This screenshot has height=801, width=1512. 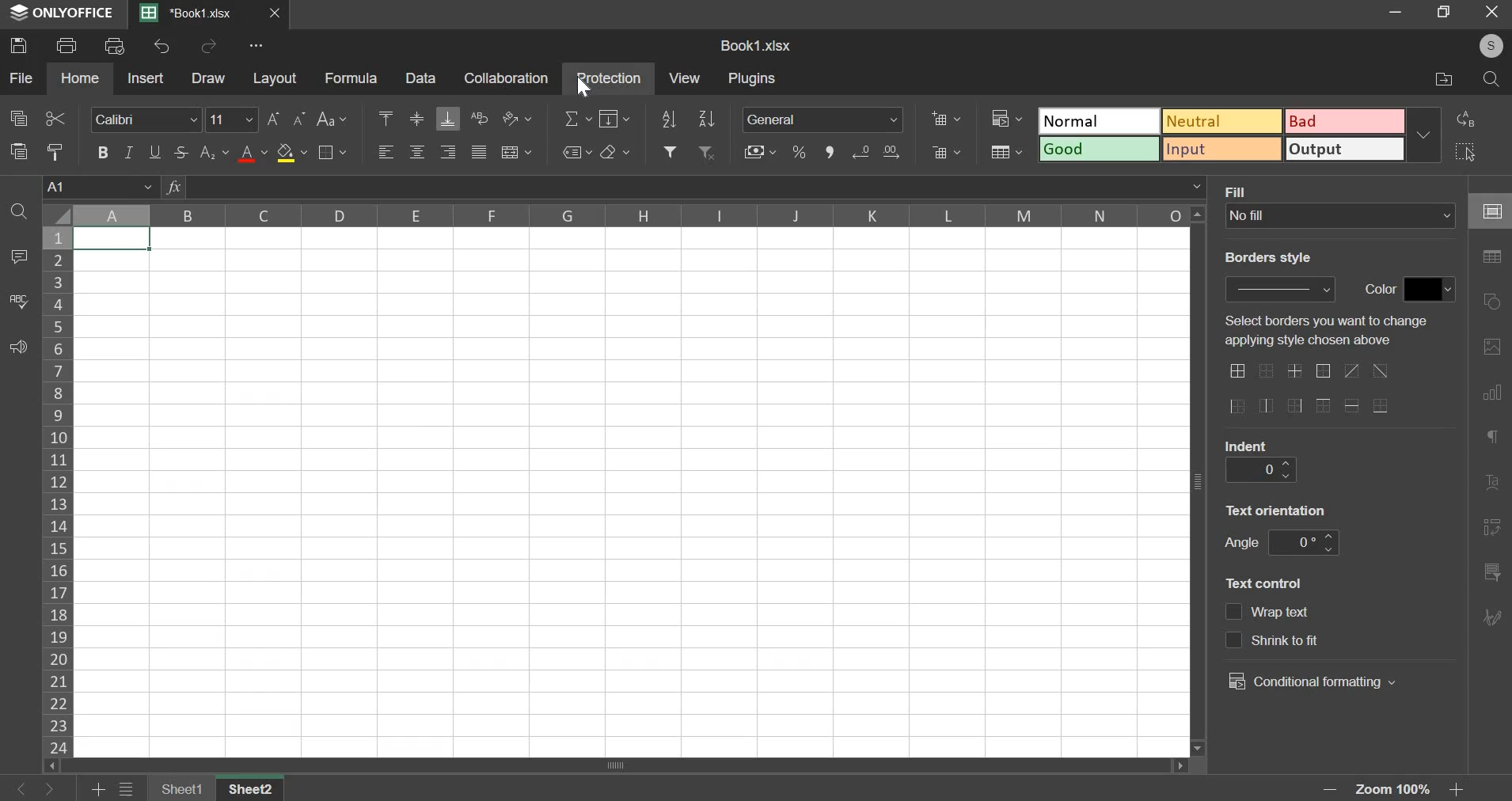 I want to click on feedback, so click(x=17, y=347).